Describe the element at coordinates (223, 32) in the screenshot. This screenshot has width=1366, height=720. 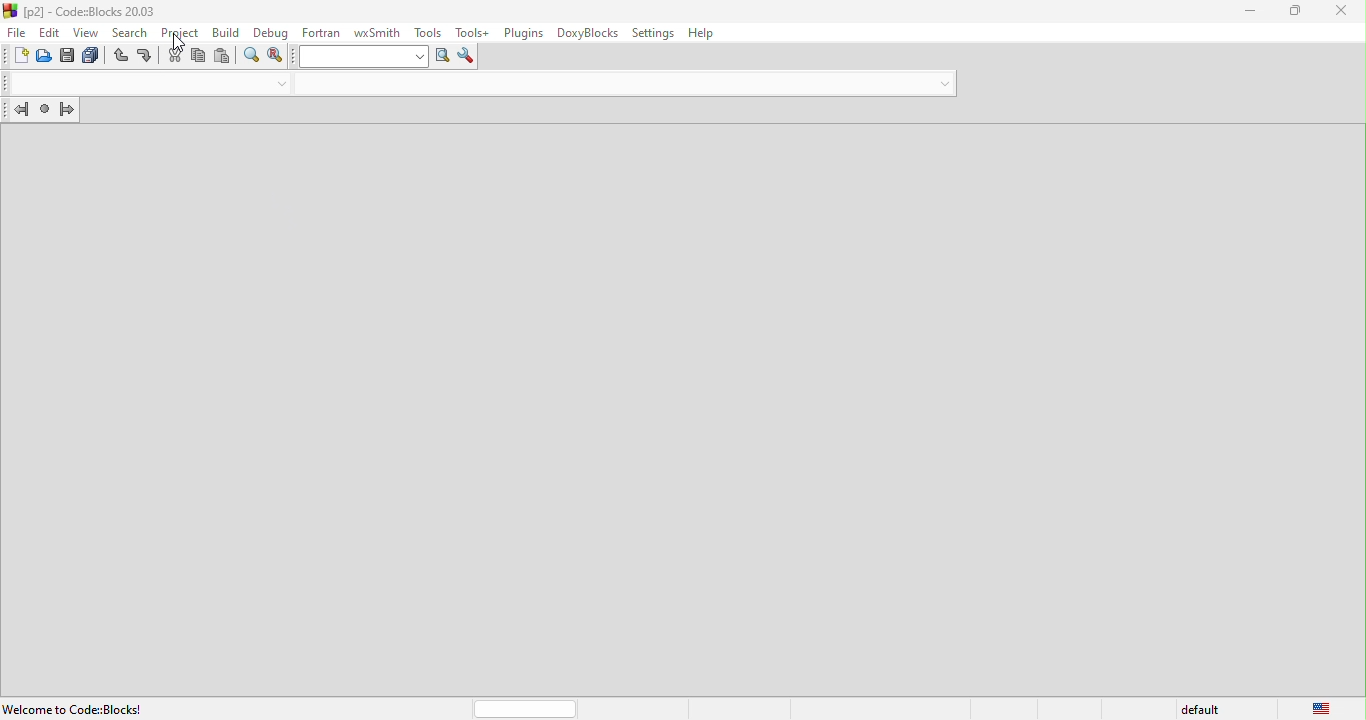
I see `build` at that location.